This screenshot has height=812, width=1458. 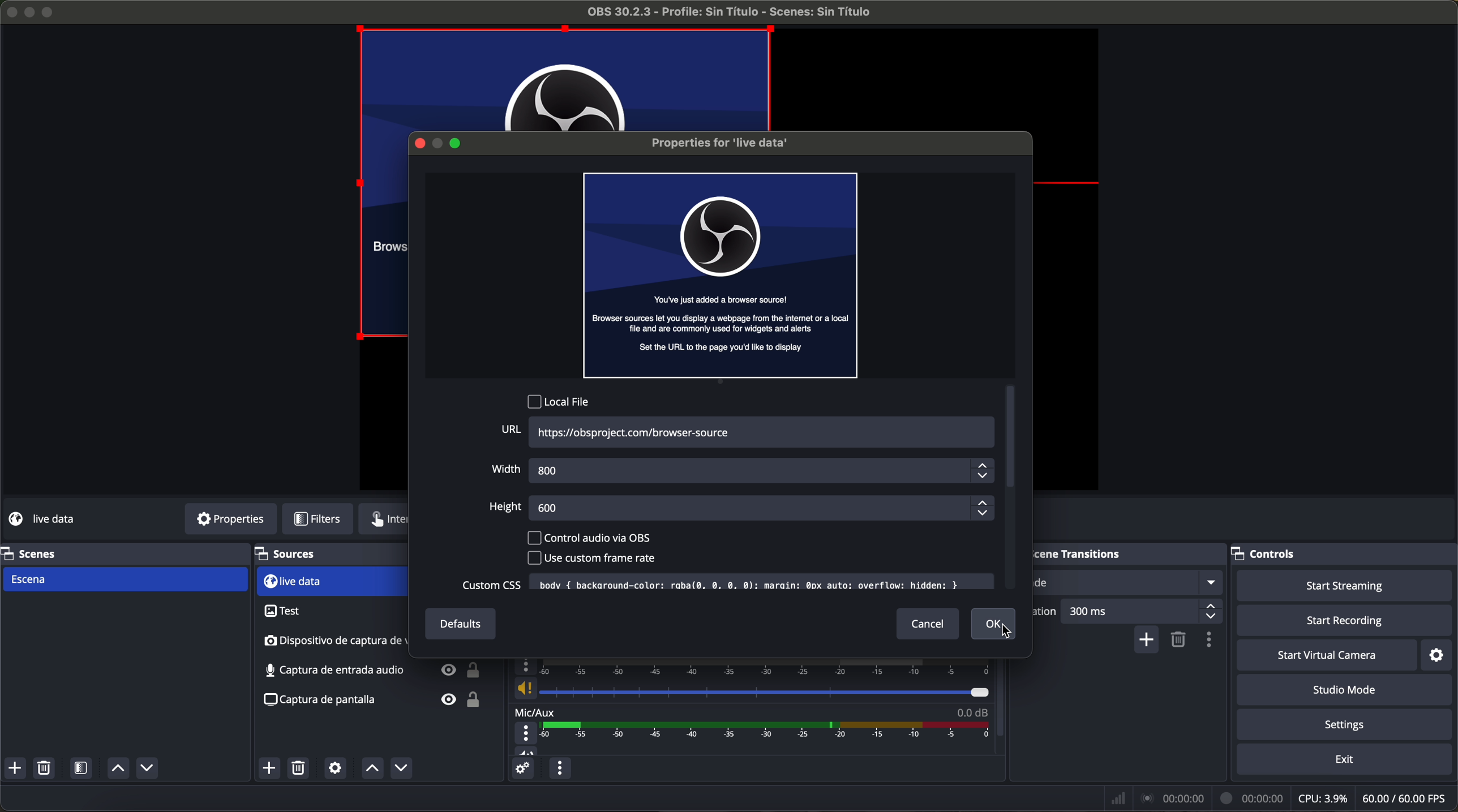 What do you see at coordinates (592, 558) in the screenshot?
I see `use custom frame rate` at bounding box center [592, 558].